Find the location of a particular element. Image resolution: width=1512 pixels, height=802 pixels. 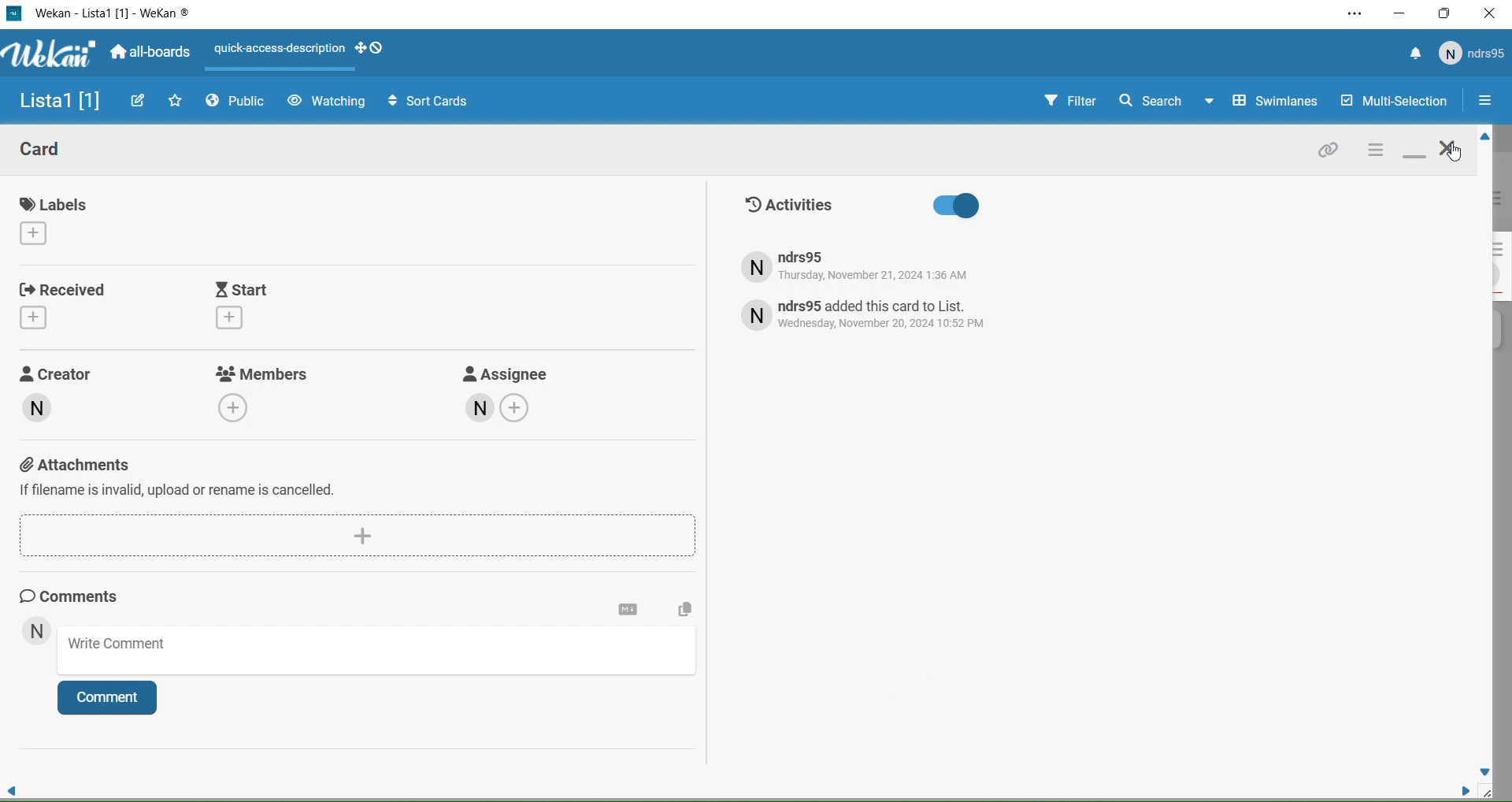

text is located at coordinates (868, 314).